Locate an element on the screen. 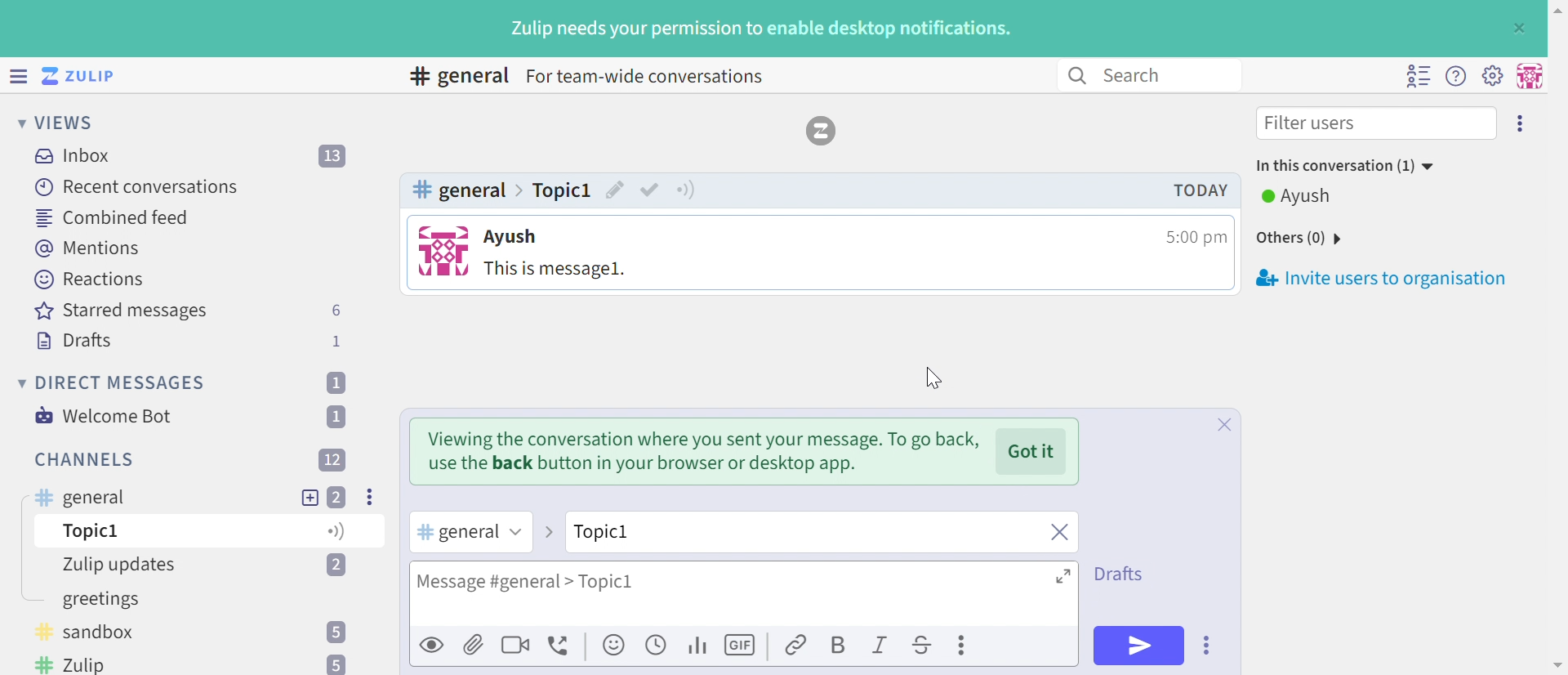 This screenshot has width=1568, height=675. Italic is located at coordinates (881, 647).